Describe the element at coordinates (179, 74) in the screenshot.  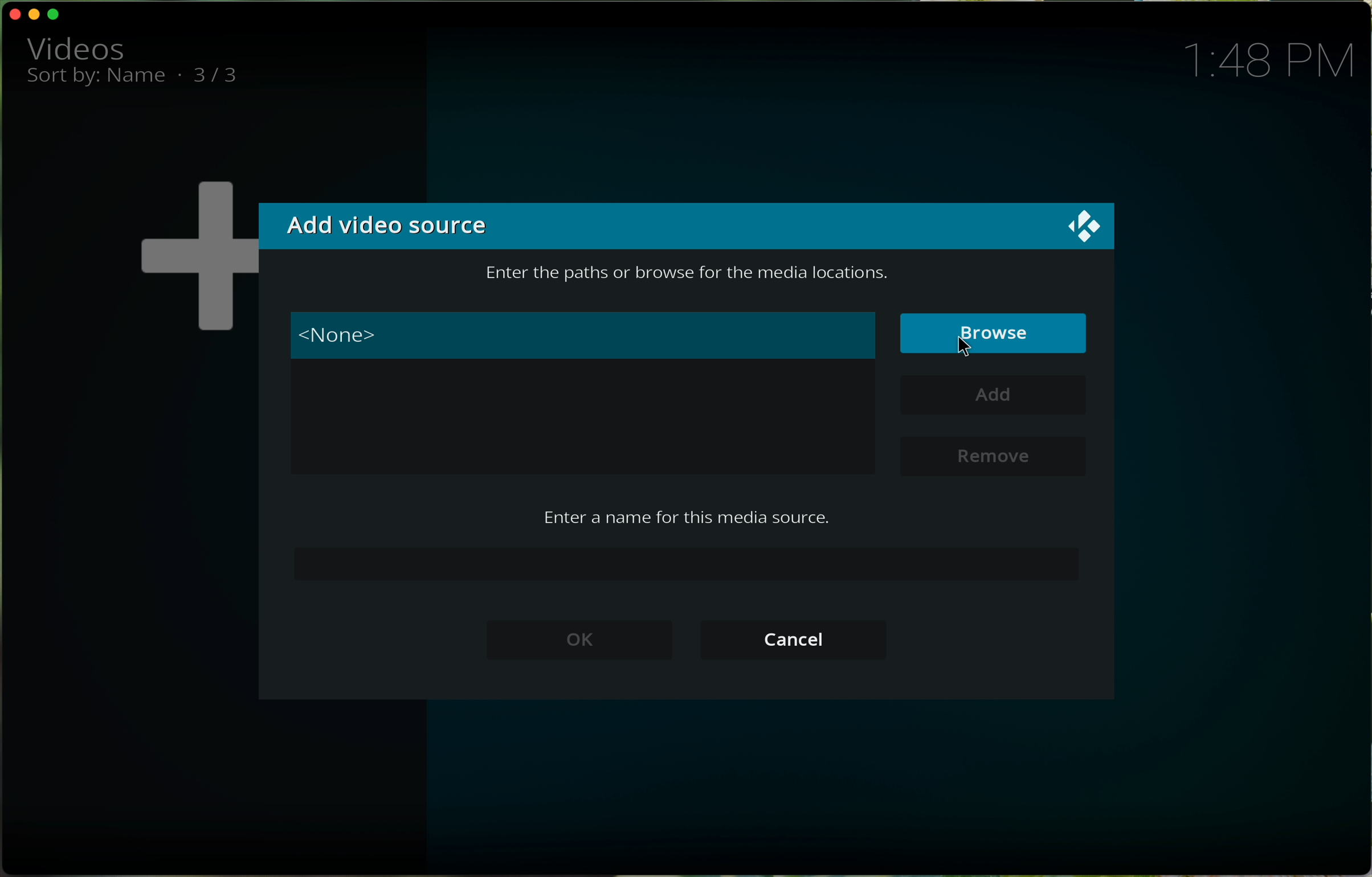
I see `.` at that location.